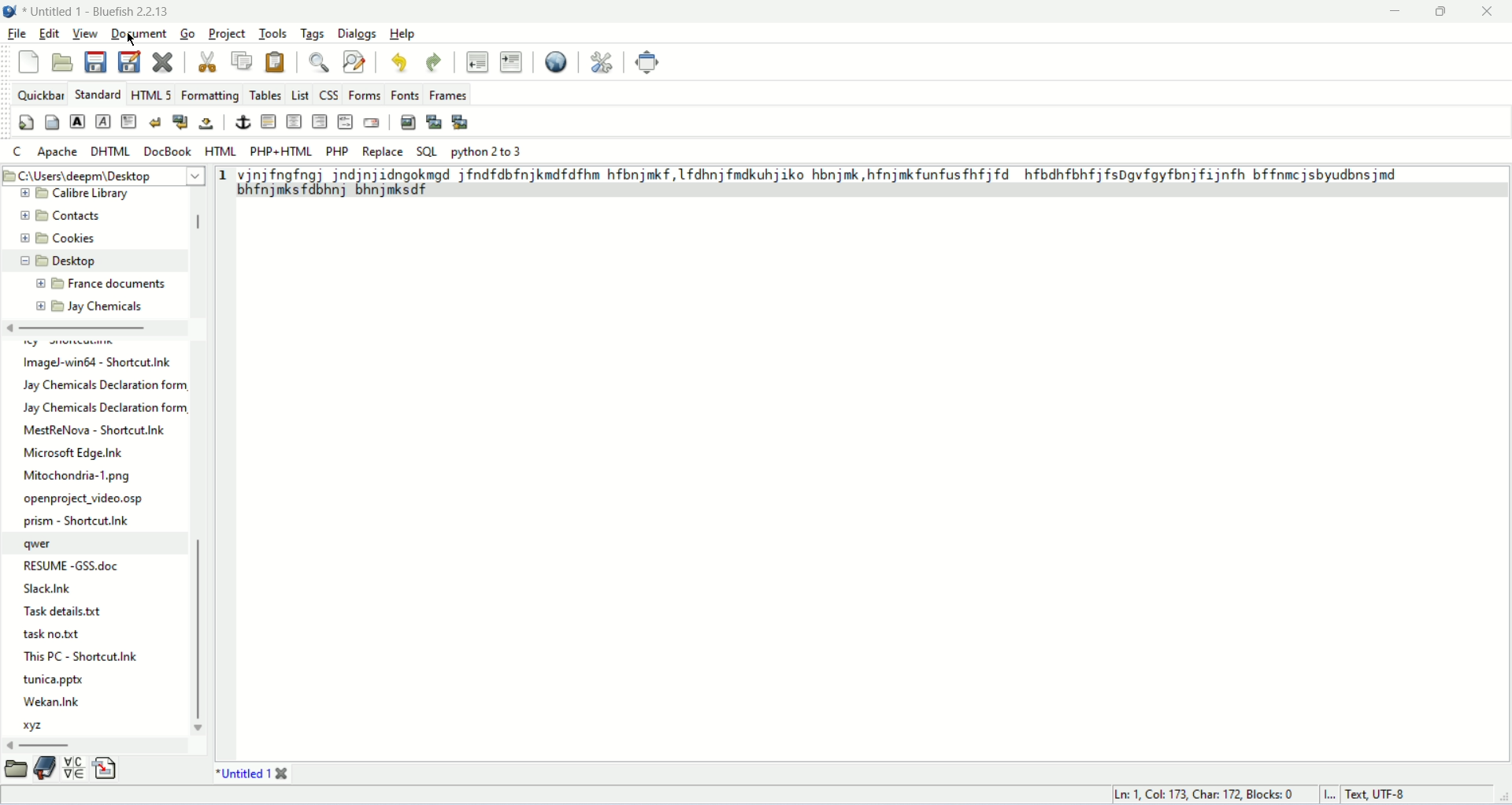  I want to click on unindent, so click(476, 61).